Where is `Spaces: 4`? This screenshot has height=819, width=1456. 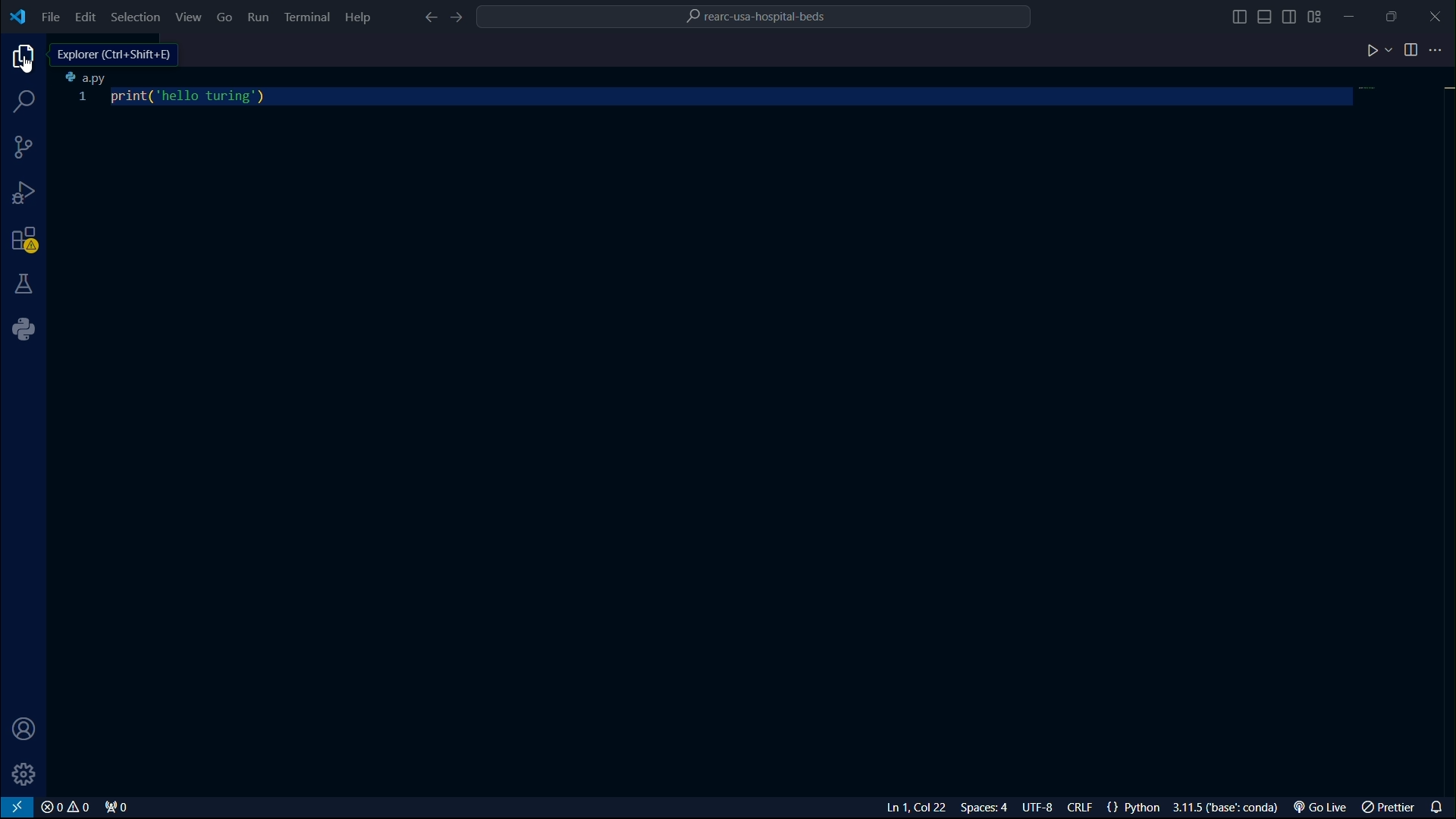
Spaces: 4 is located at coordinates (988, 808).